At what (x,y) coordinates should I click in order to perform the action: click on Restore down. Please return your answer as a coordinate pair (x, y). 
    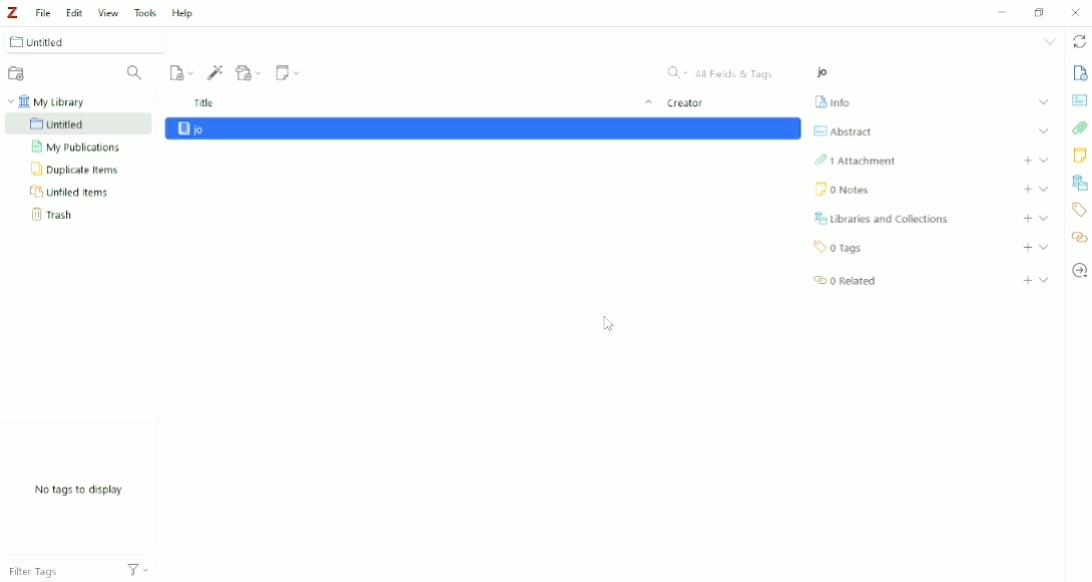
    Looking at the image, I should click on (1040, 13).